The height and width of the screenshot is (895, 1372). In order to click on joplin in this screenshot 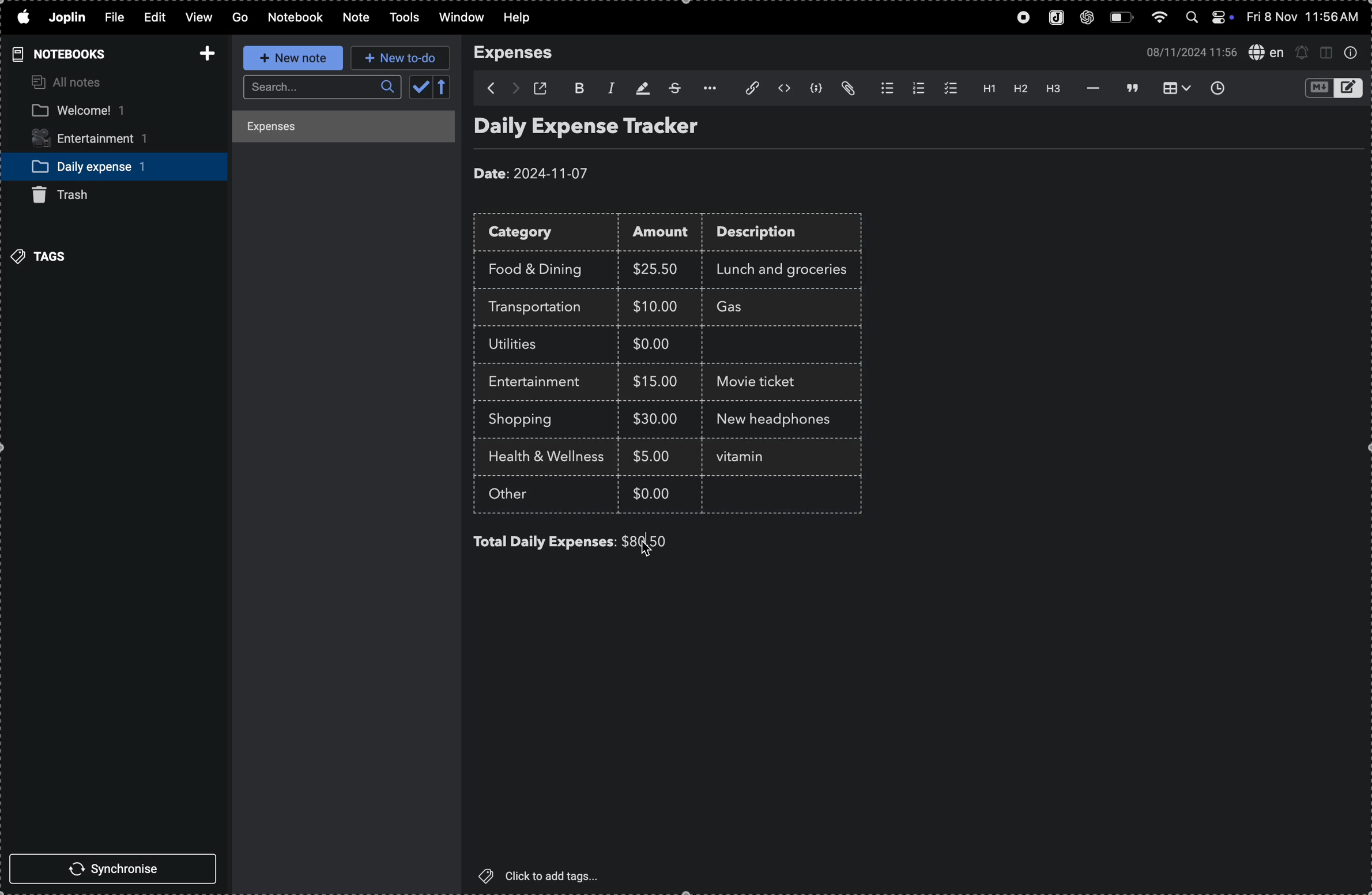, I will do `click(69, 17)`.